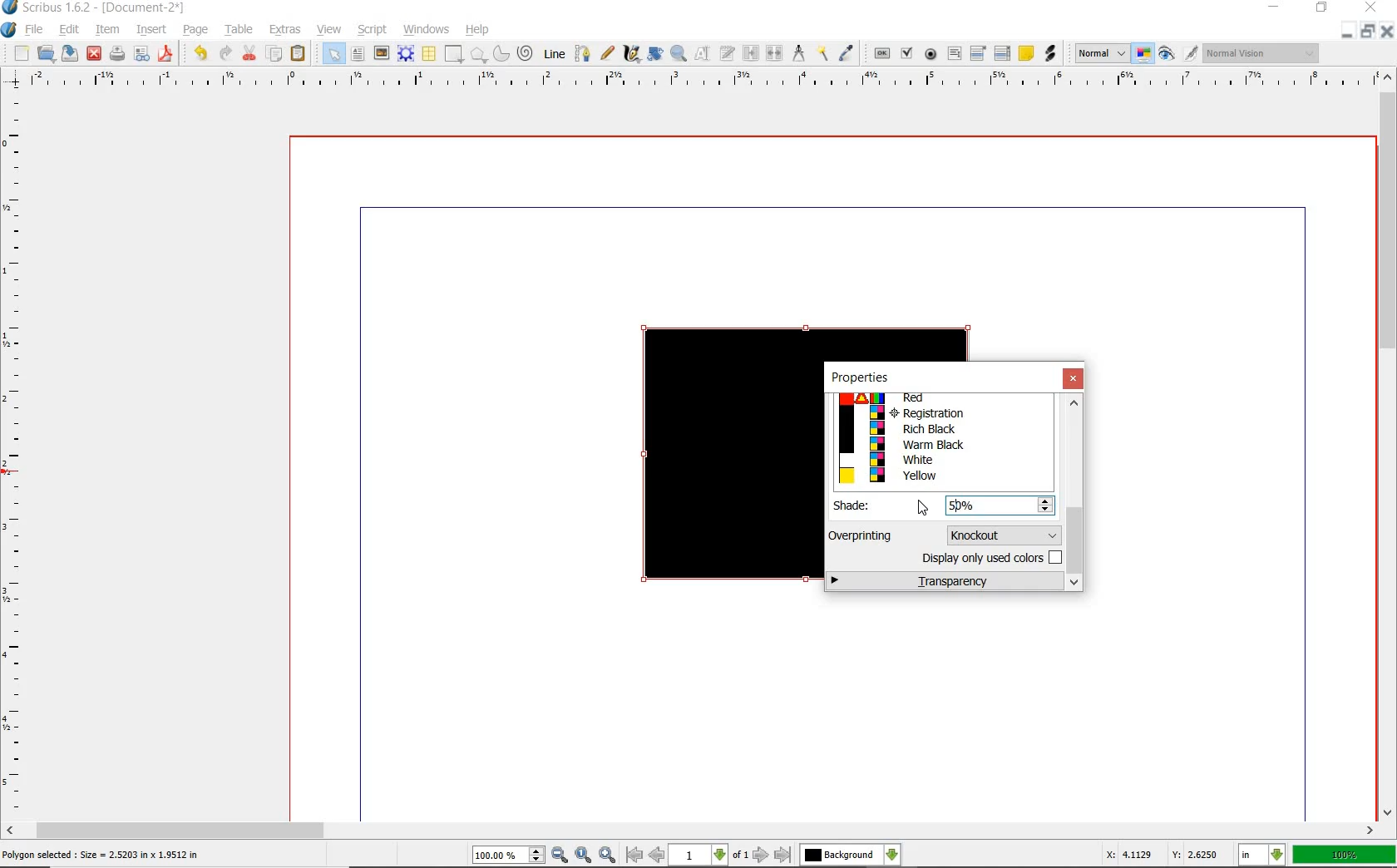 The width and height of the screenshot is (1397, 868). Describe the element at coordinates (478, 53) in the screenshot. I see `polygon` at that location.